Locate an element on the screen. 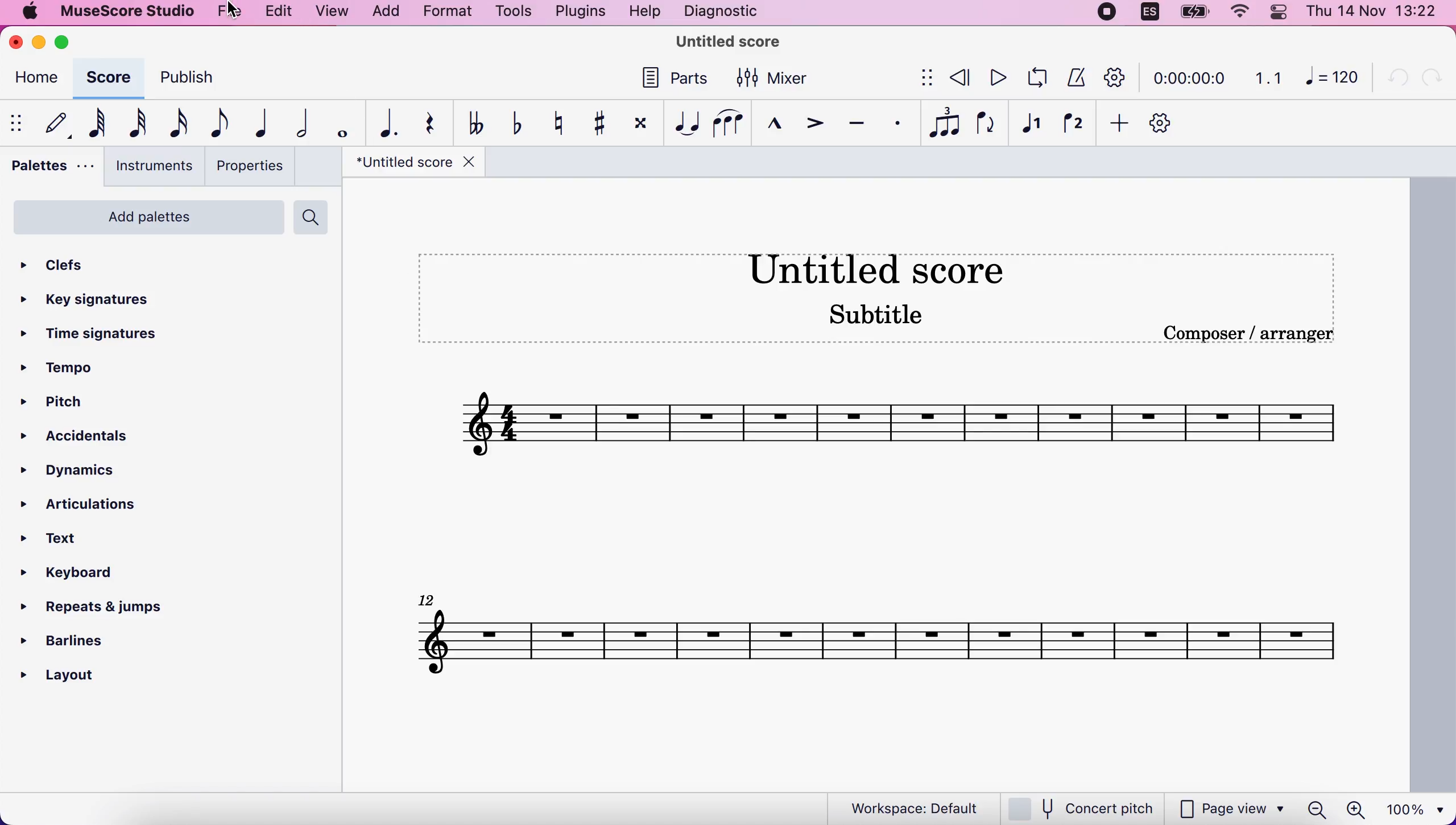  play is located at coordinates (994, 80).